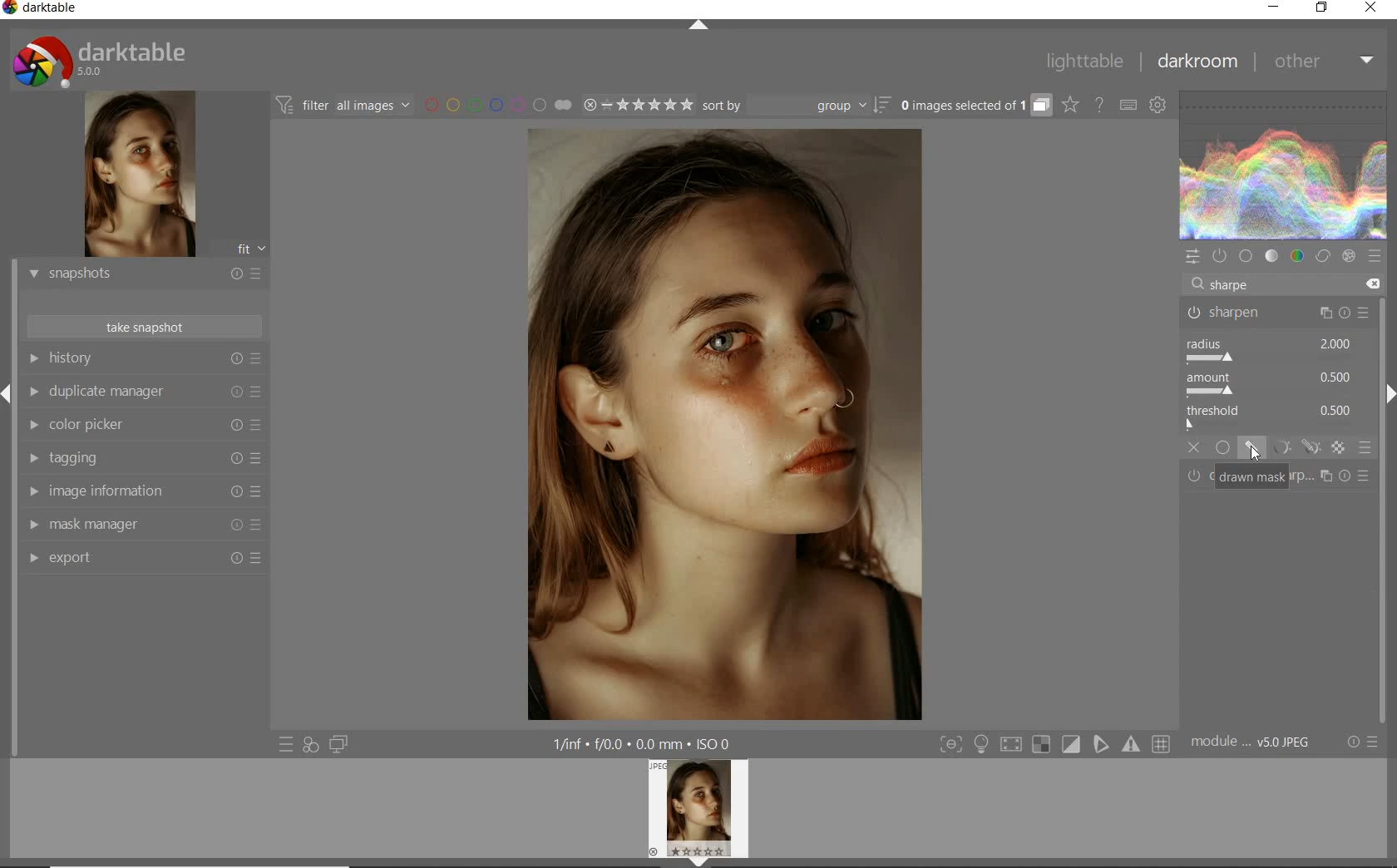 Image resolution: width=1397 pixels, height=868 pixels. What do you see at coordinates (336, 745) in the screenshot?
I see `display a second darkroom image below` at bounding box center [336, 745].